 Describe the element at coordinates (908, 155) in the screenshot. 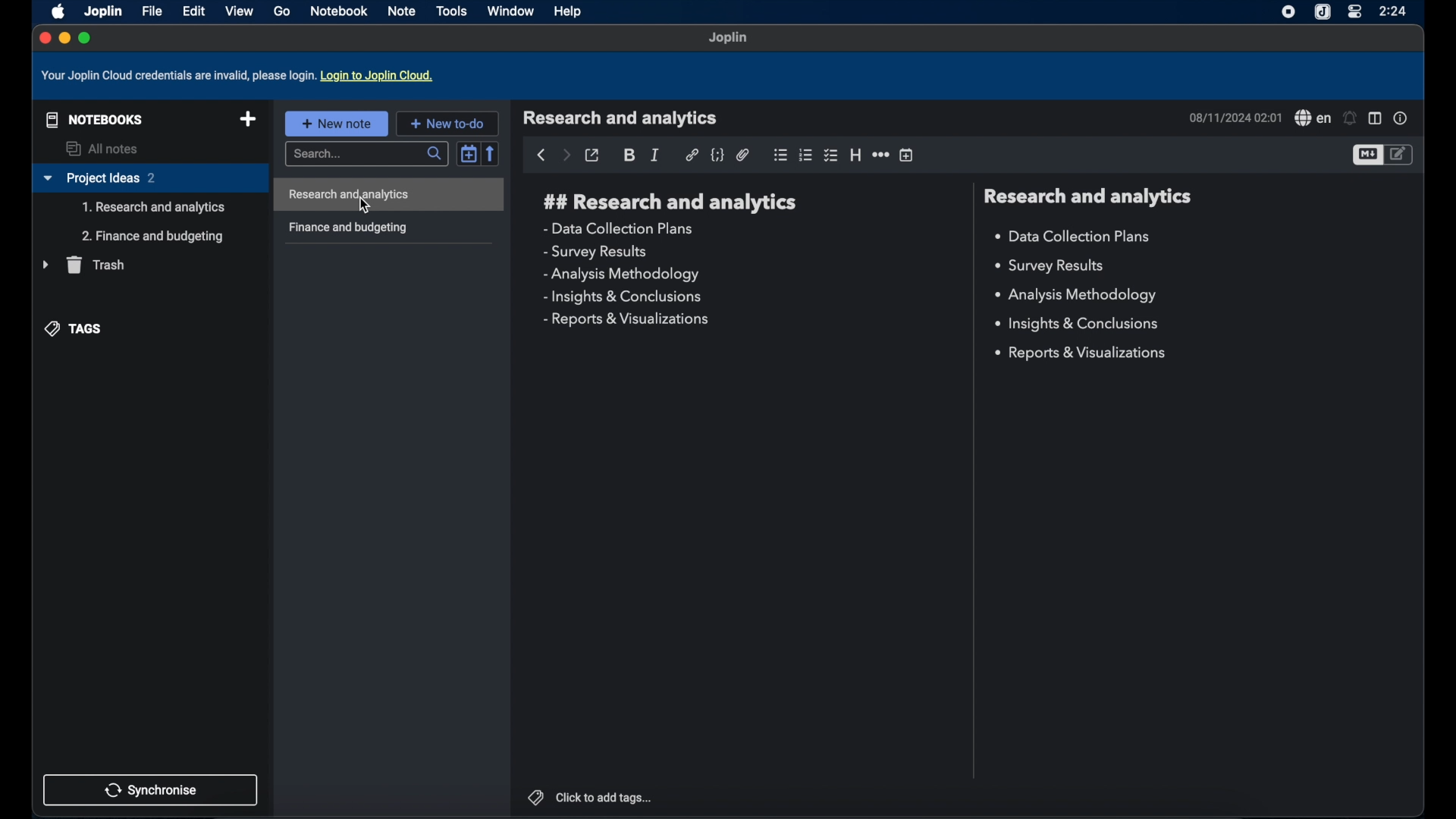

I see `insert time` at that location.